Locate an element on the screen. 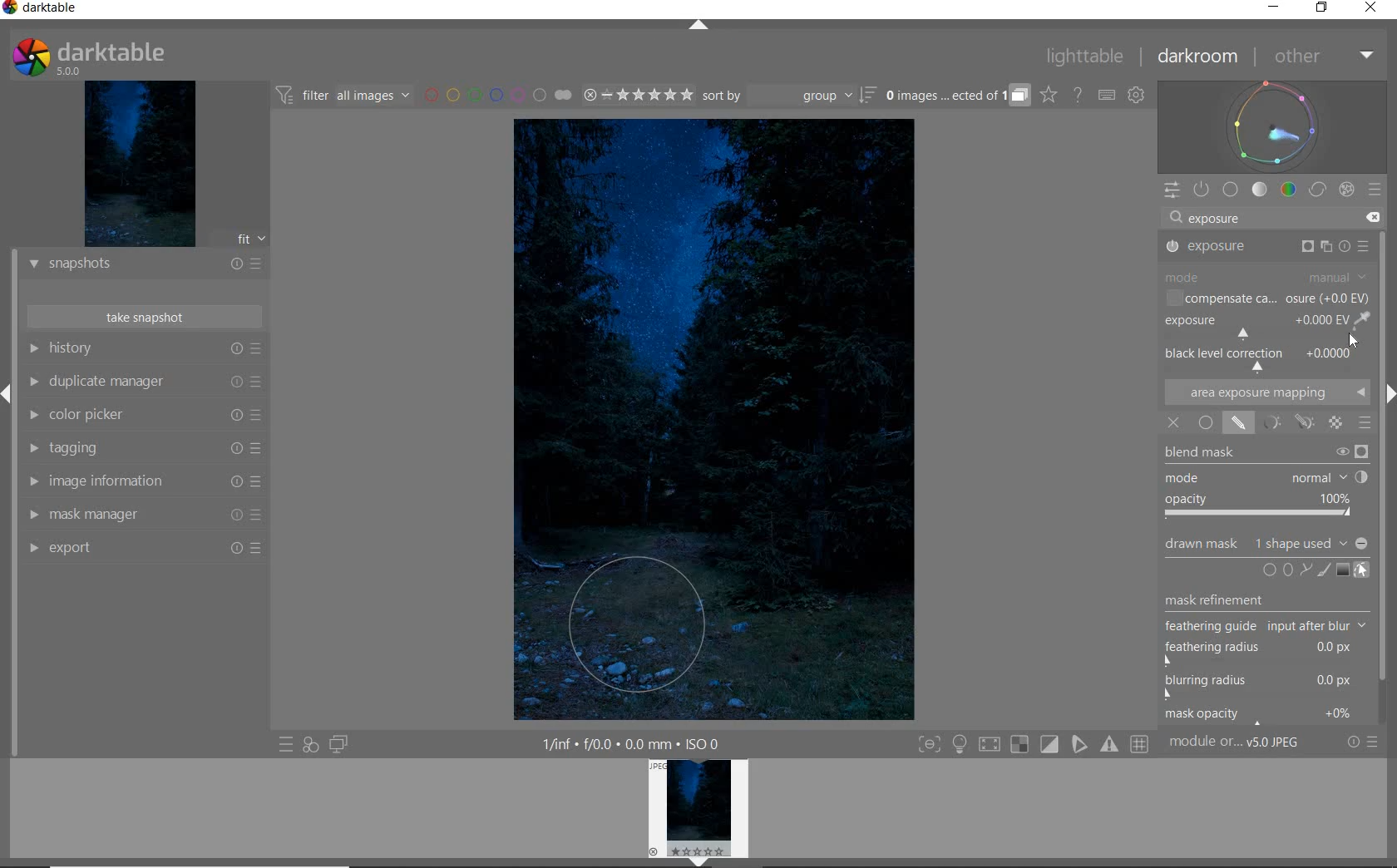 This screenshot has width=1397, height=868. FILTER BY IMAGE COLOR LABEL is located at coordinates (498, 96).